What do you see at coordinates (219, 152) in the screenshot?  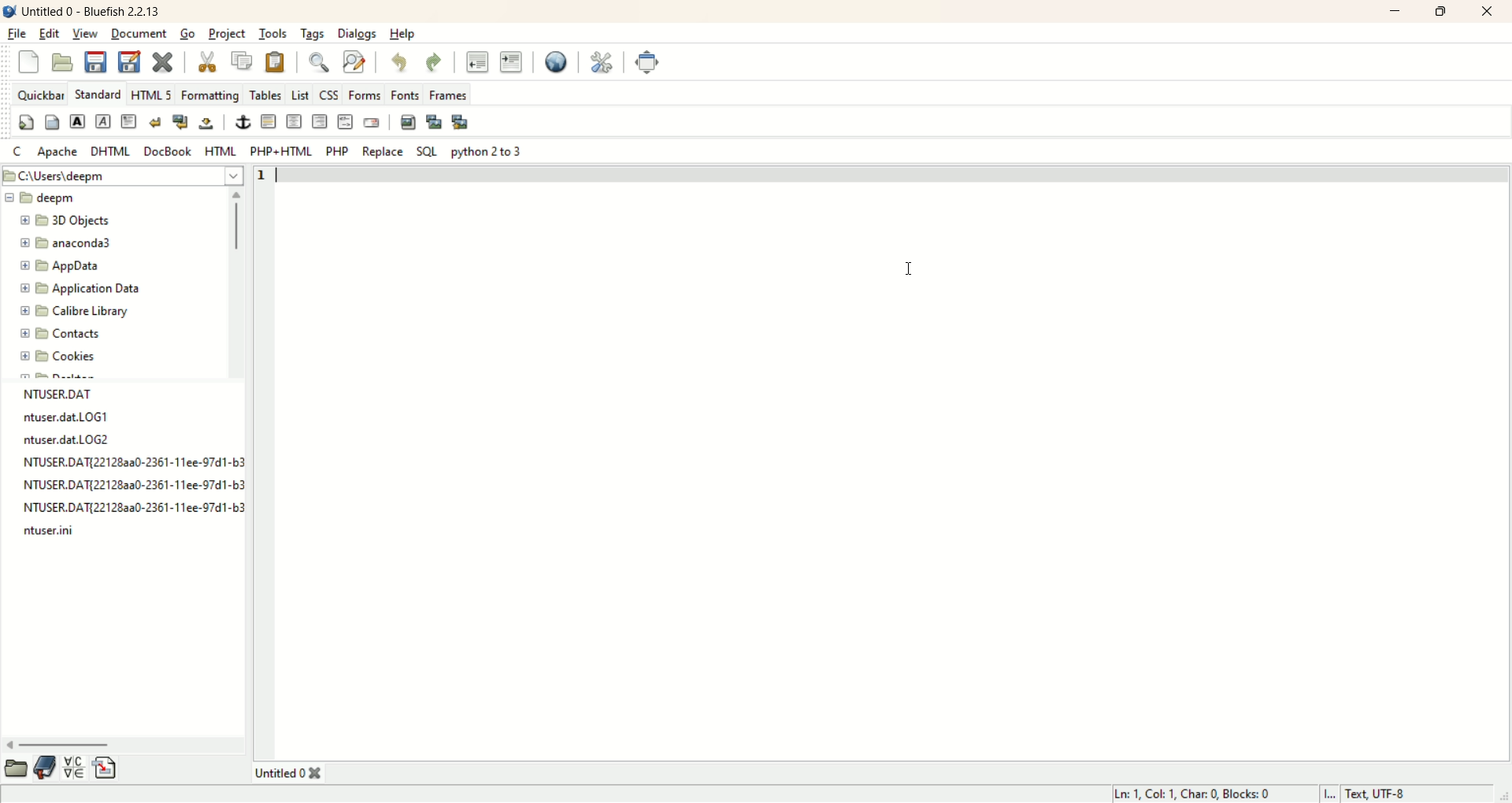 I see `HTML` at bounding box center [219, 152].